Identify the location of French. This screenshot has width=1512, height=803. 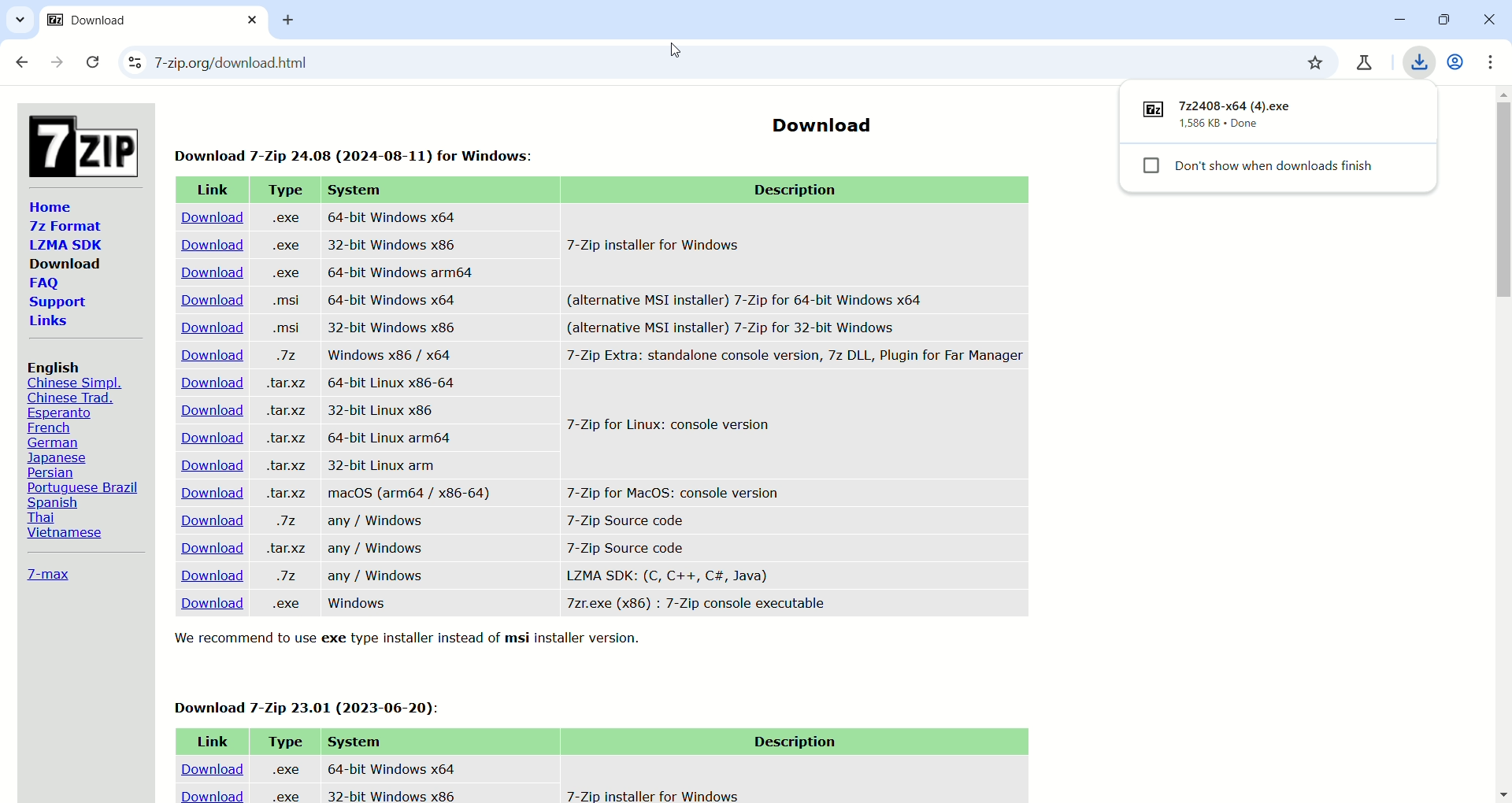
(47, 428).